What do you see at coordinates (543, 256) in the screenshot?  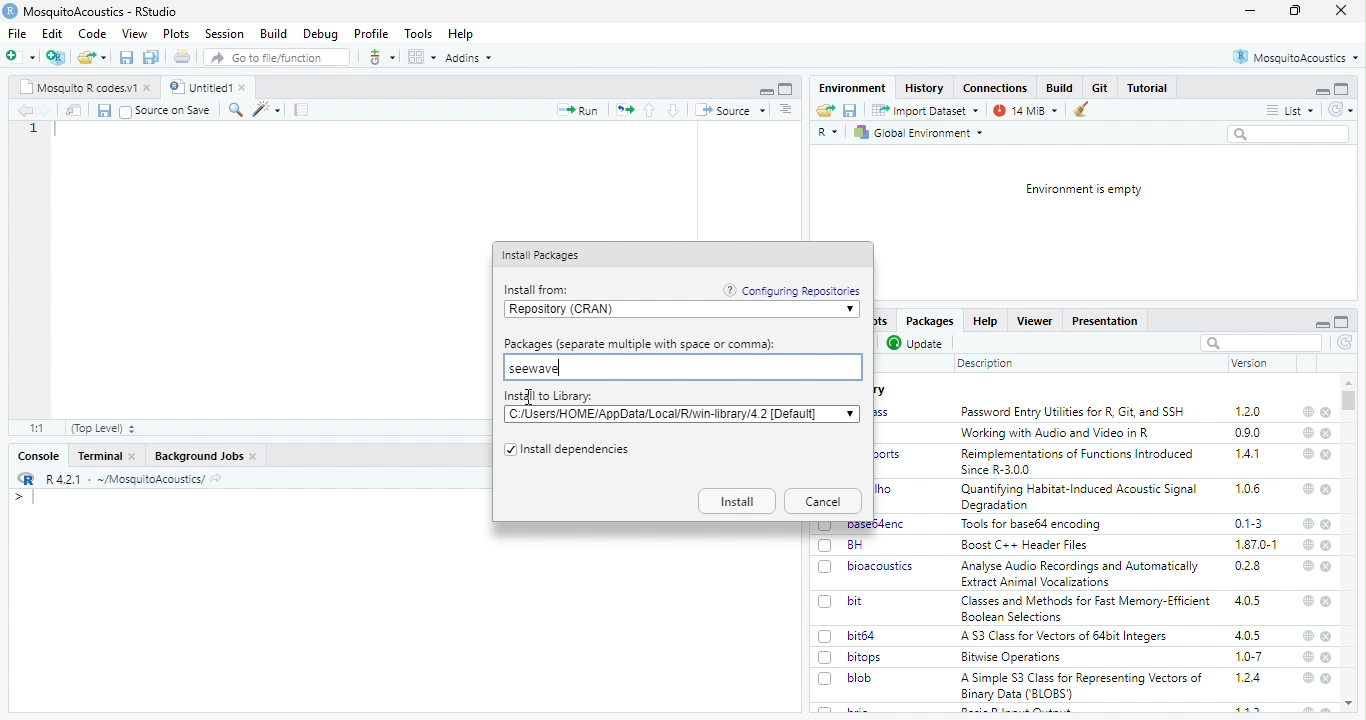 I see `Install Packages` at bounding box center [543, 256].